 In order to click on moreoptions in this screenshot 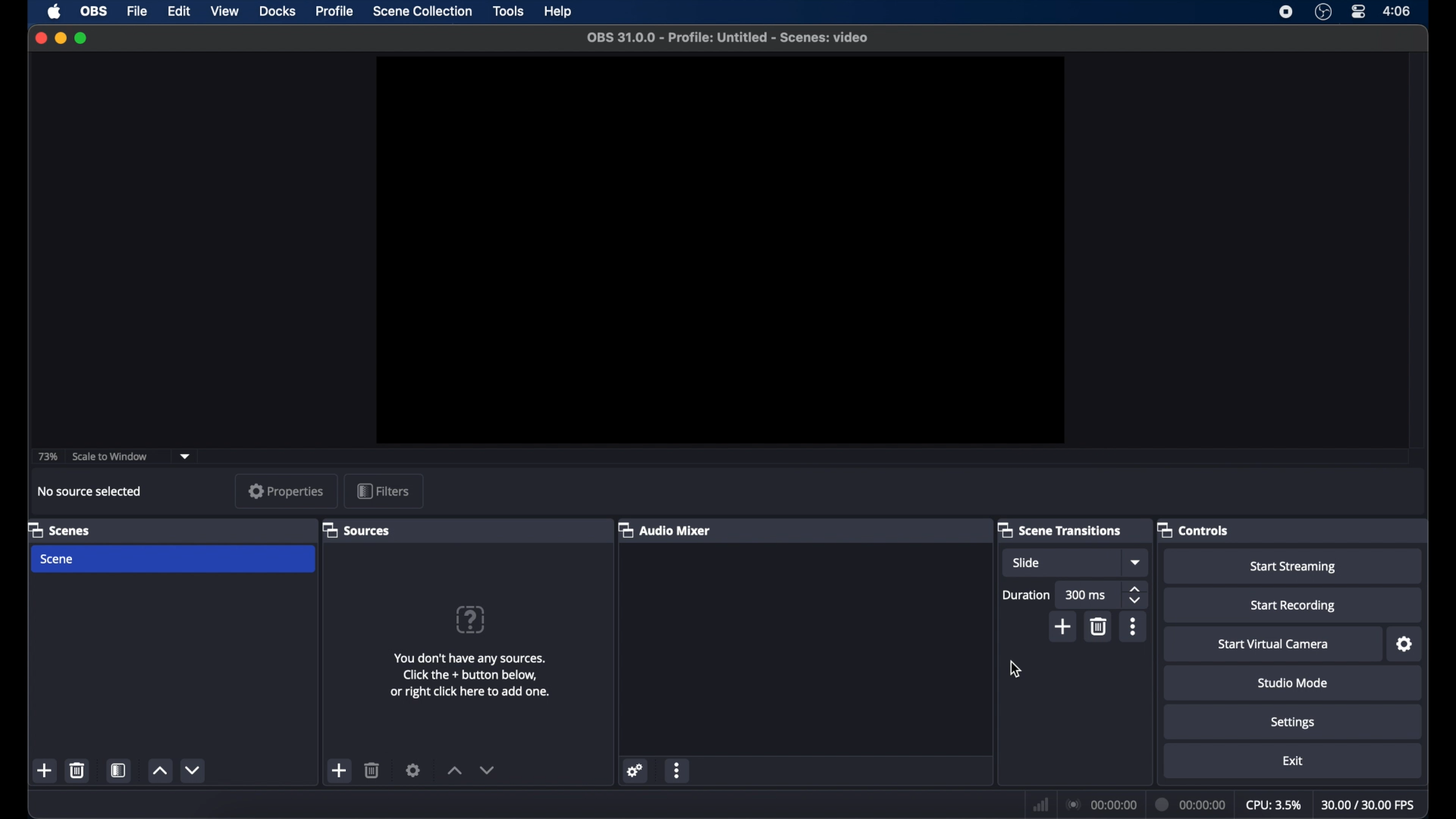, I will do `click(1134, 626)`.